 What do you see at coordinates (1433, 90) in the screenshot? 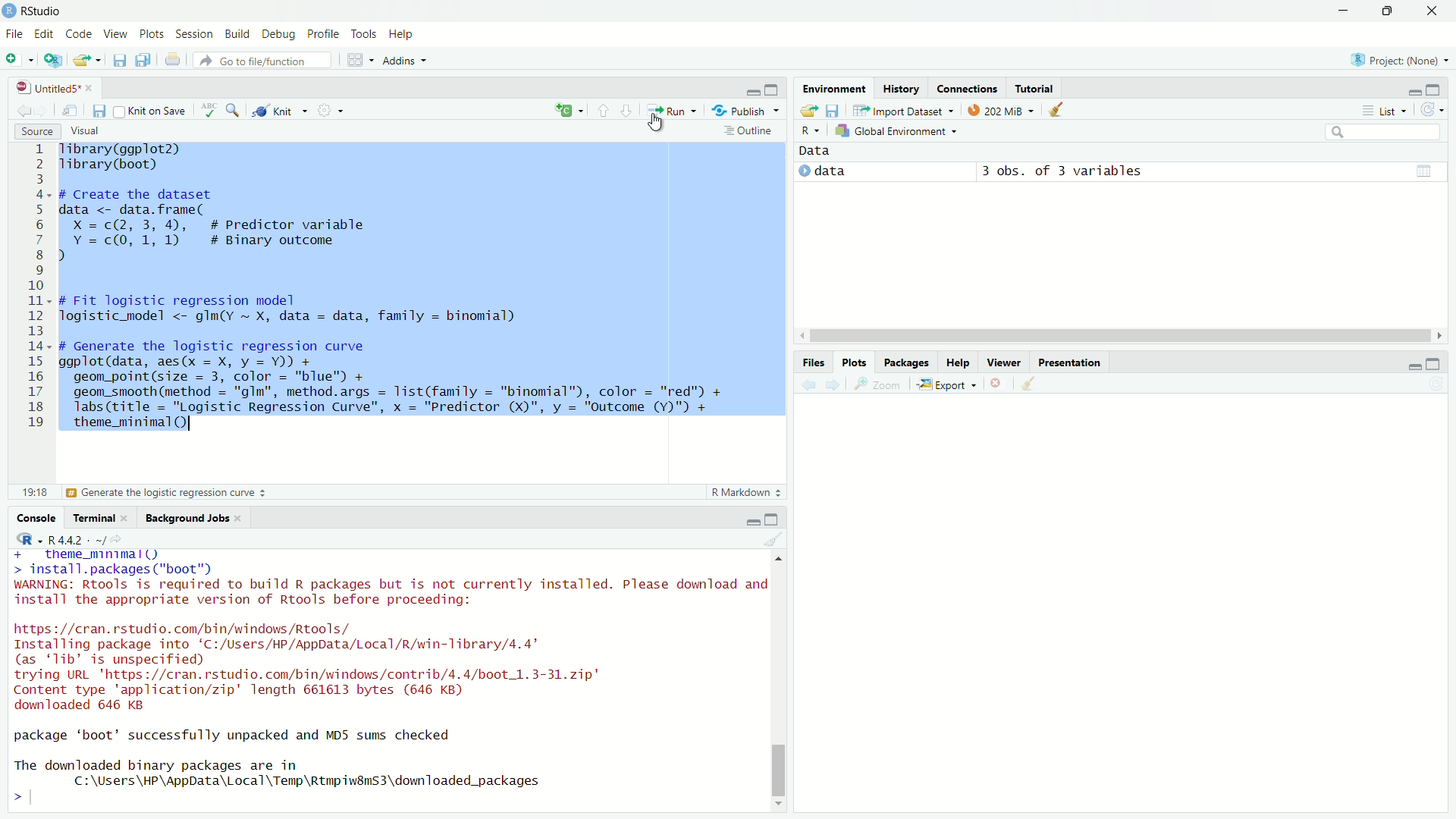
I see `maximize` at bounding box center [1433, 90].